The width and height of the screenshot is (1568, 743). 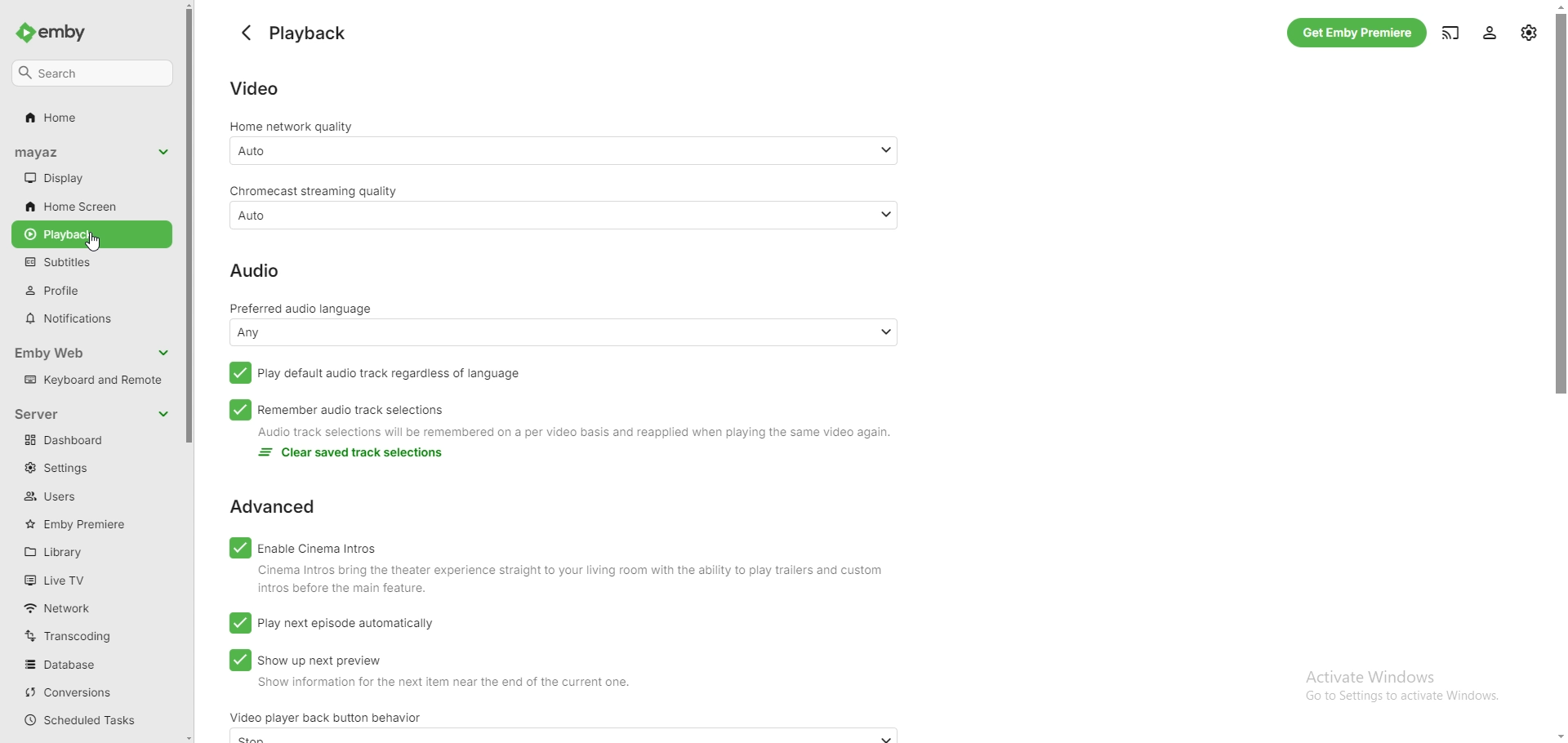 I want to click on any, so click(x=565, y=331).